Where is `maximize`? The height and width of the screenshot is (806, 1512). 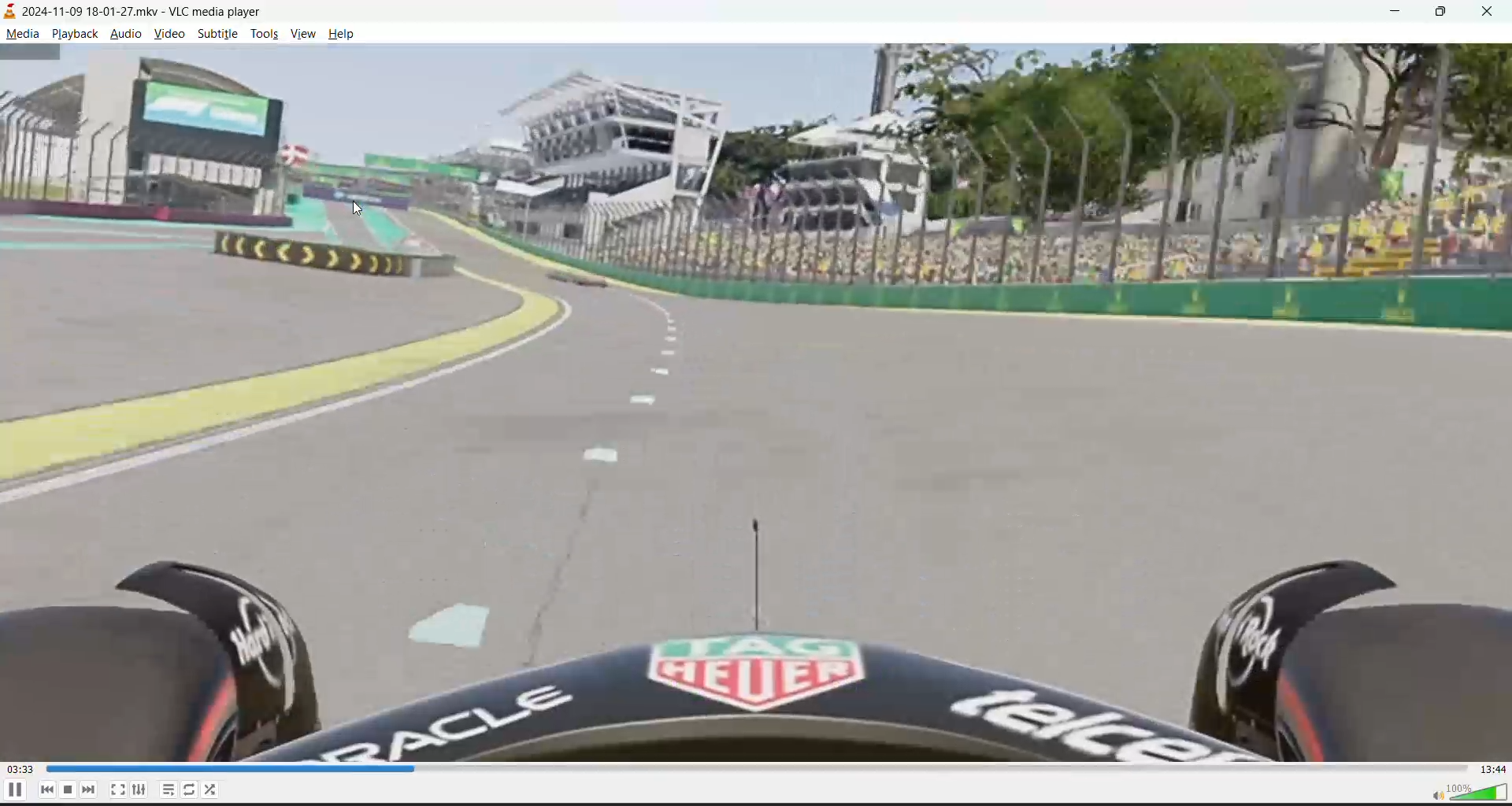
maximize is located at coordinates (1444, 13).